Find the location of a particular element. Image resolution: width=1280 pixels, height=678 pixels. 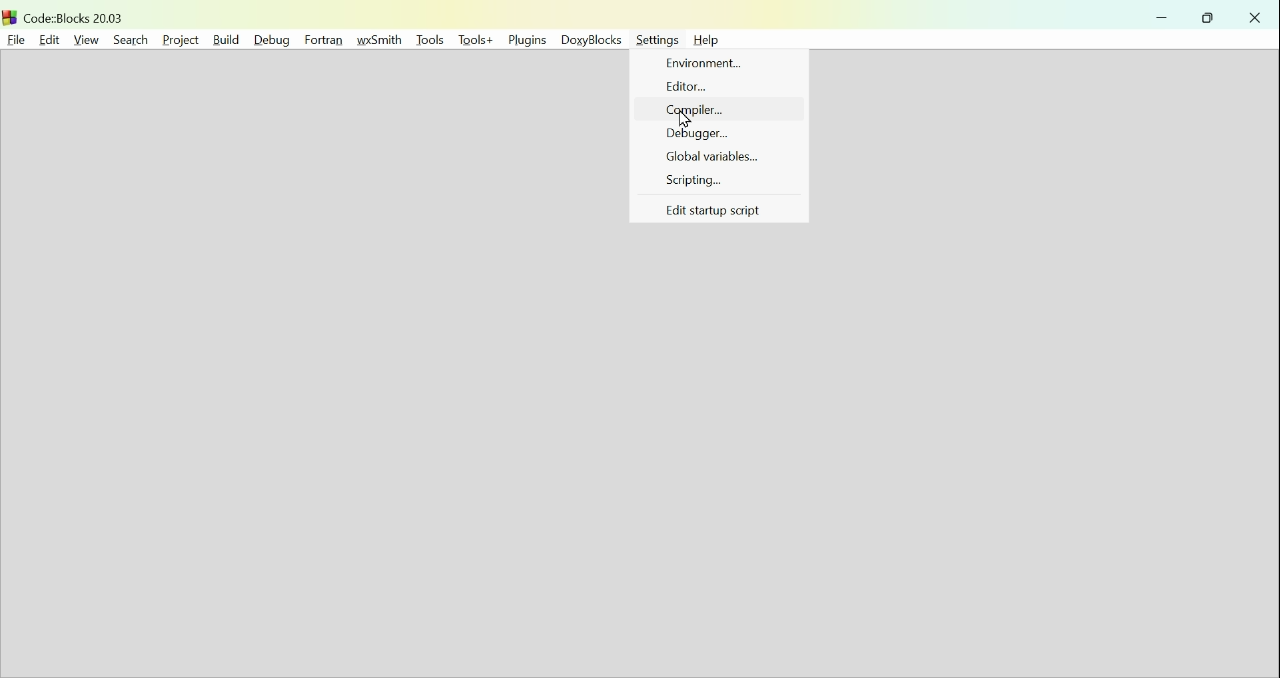

Eit startup script is located at coordinates (713, 211).